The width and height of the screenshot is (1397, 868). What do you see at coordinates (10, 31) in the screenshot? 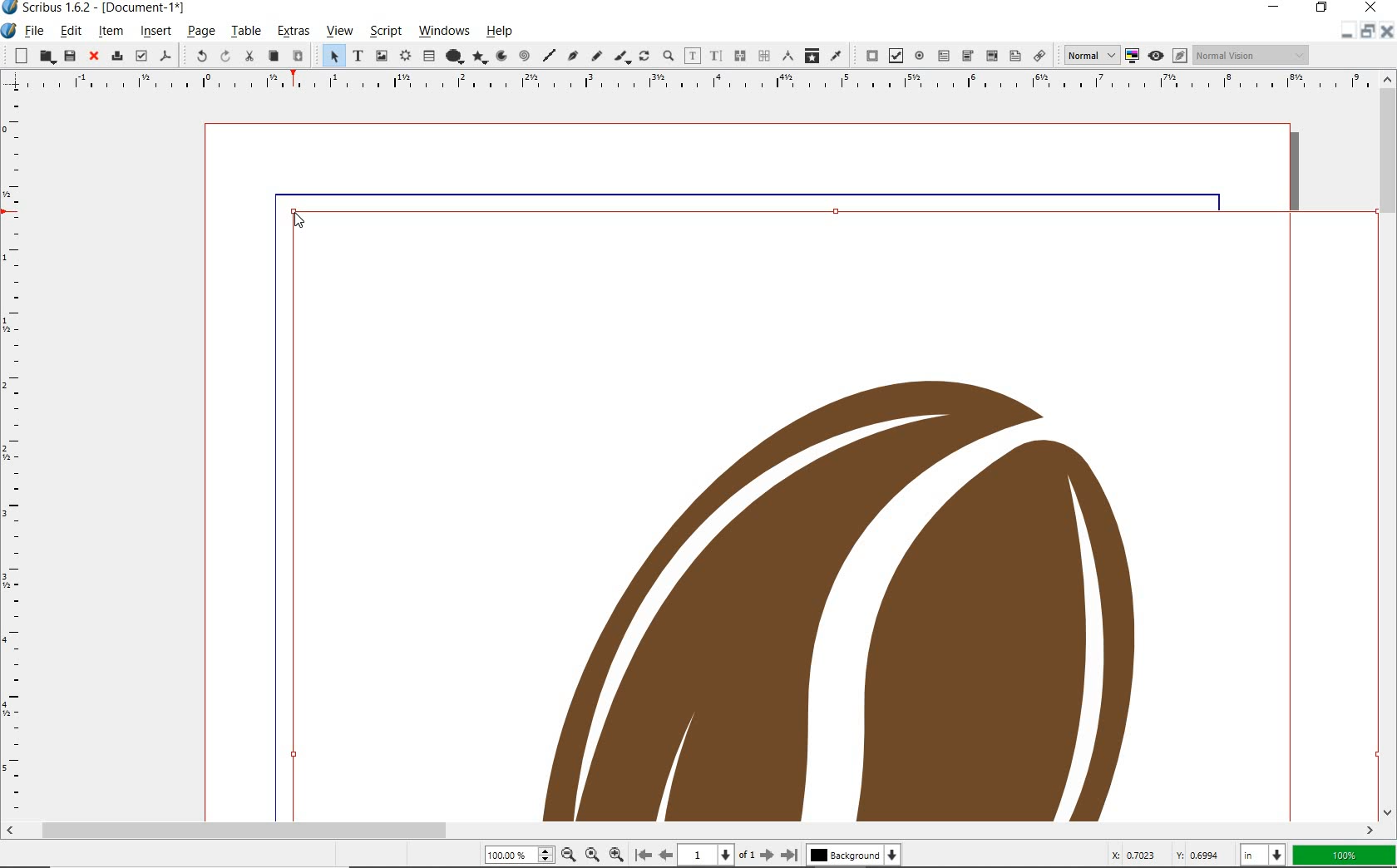
I see `system icon` at bounding box center [10, 31].